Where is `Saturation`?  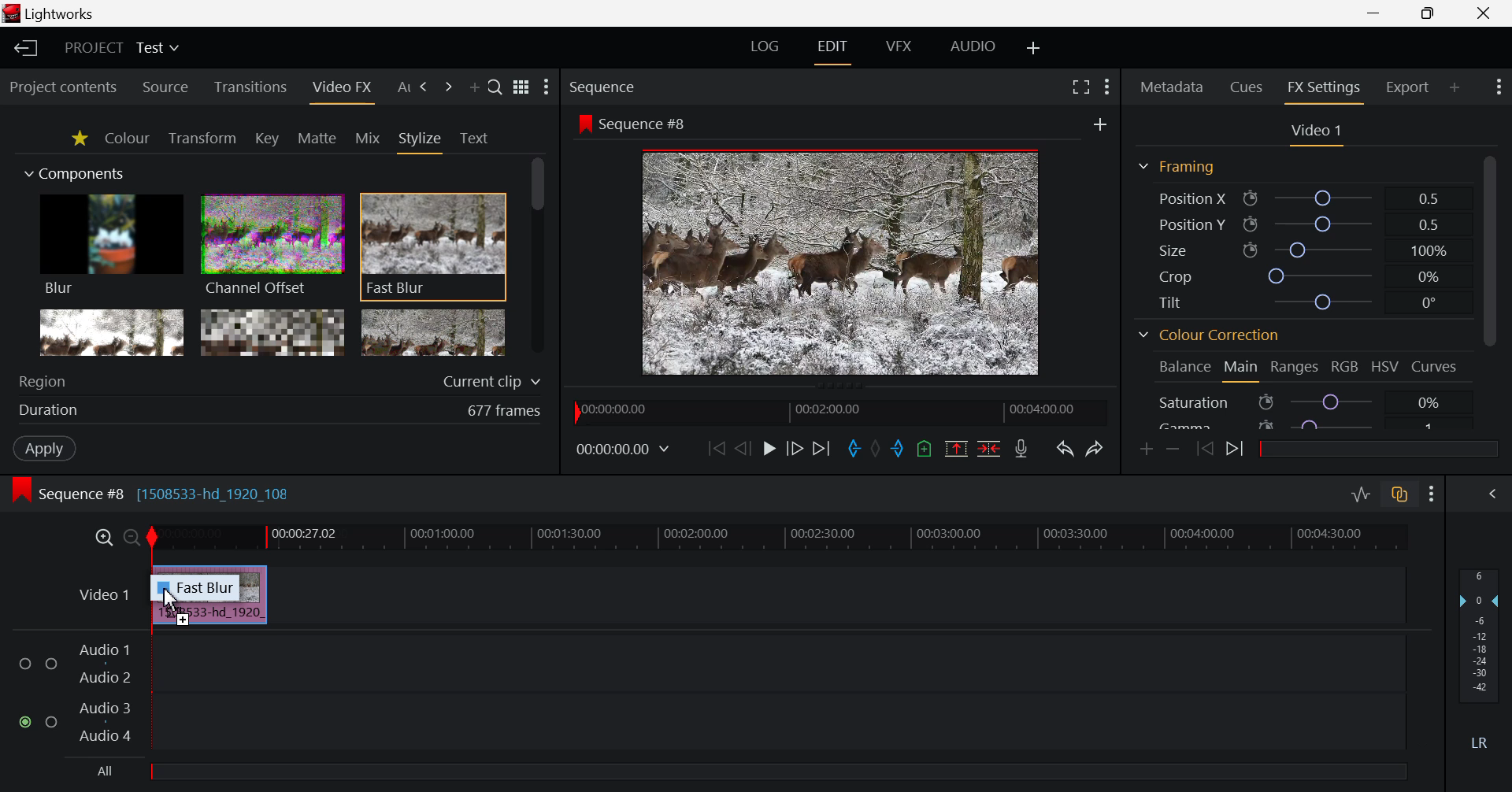
Saturation is located at coordinates (1303, 403).